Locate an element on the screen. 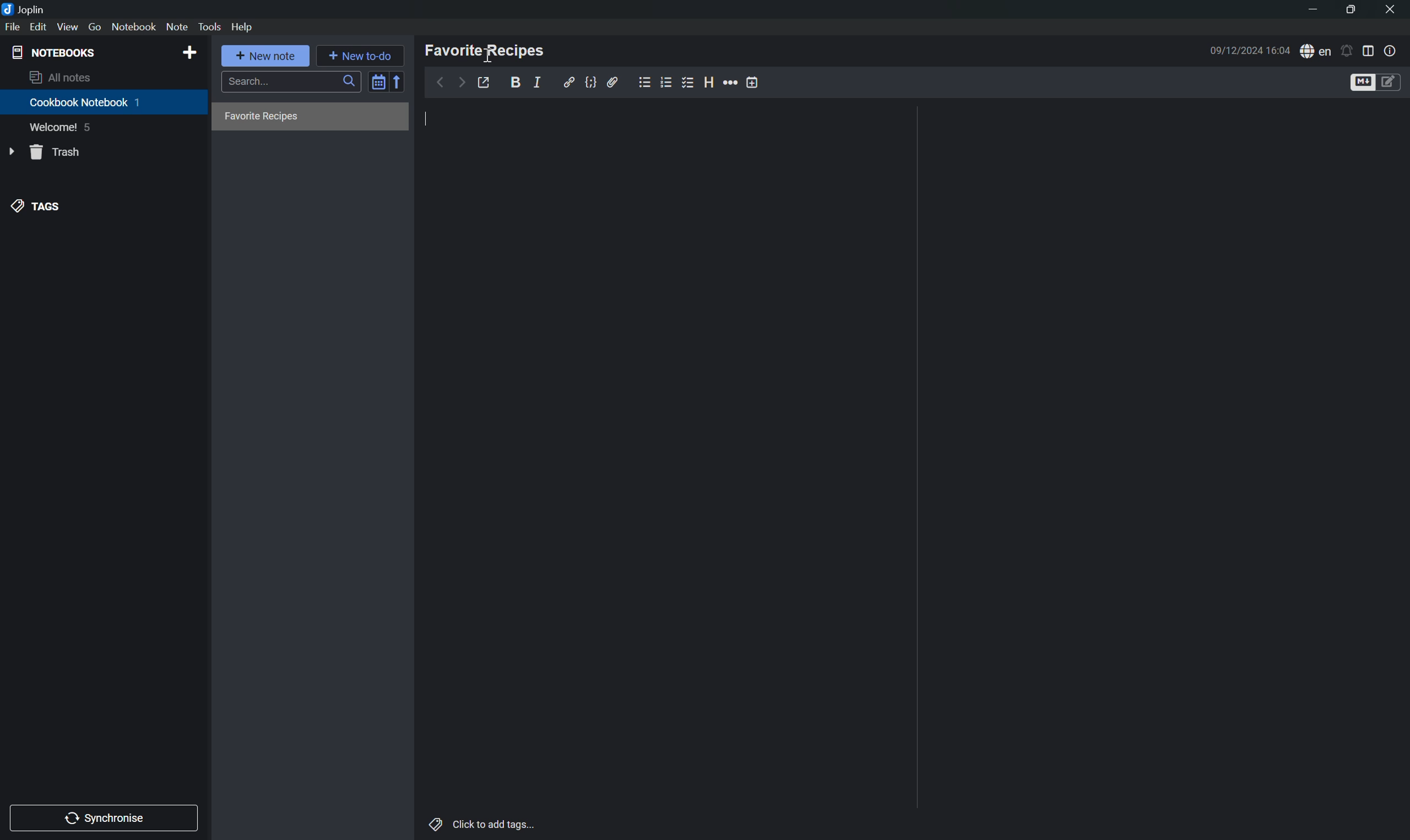 Image resolution: width=1410 pixels, height=840 pixels. Checkbox List is located at coordinates (689, 84).